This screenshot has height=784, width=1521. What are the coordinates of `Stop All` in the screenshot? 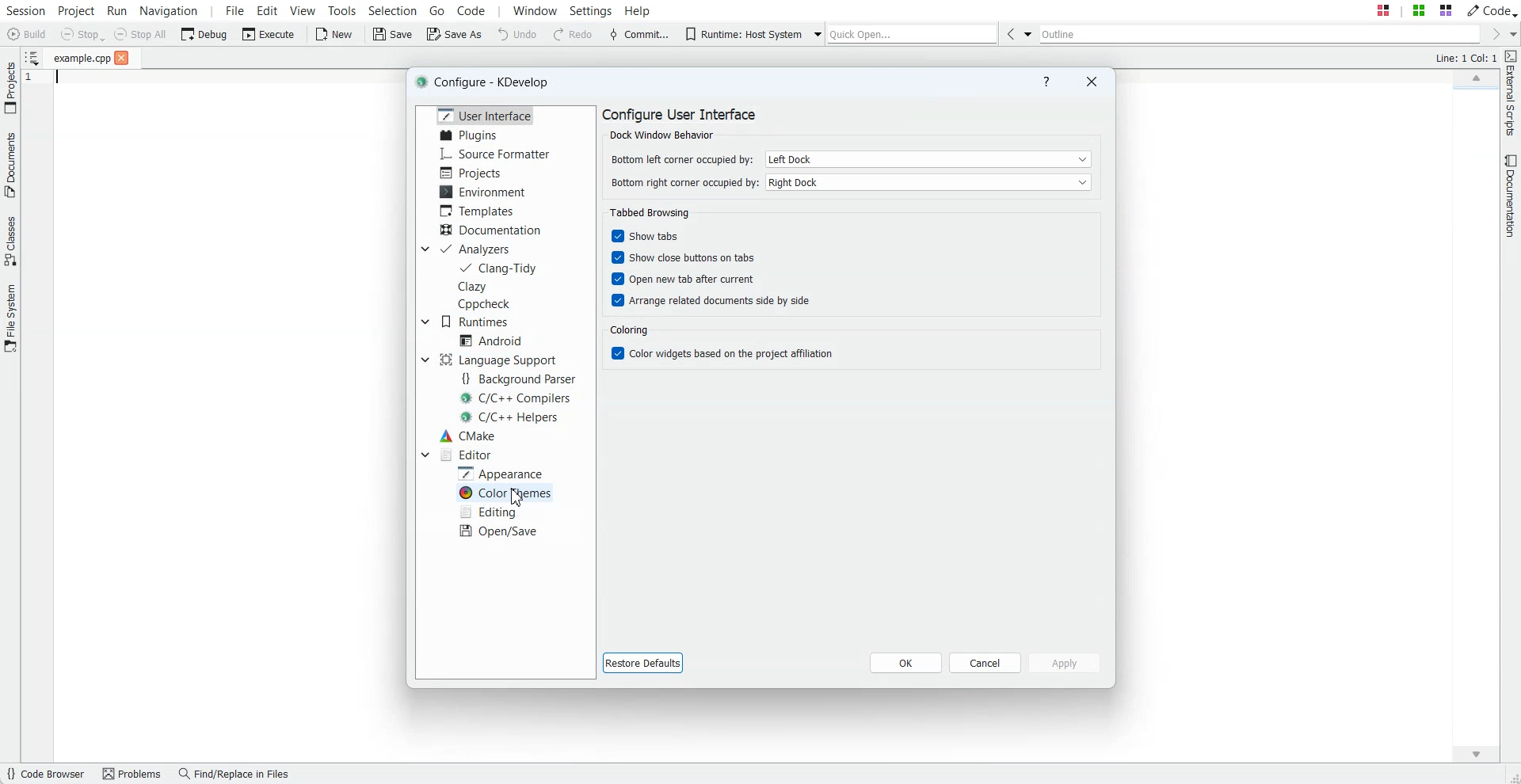 It's located at (141, 34).